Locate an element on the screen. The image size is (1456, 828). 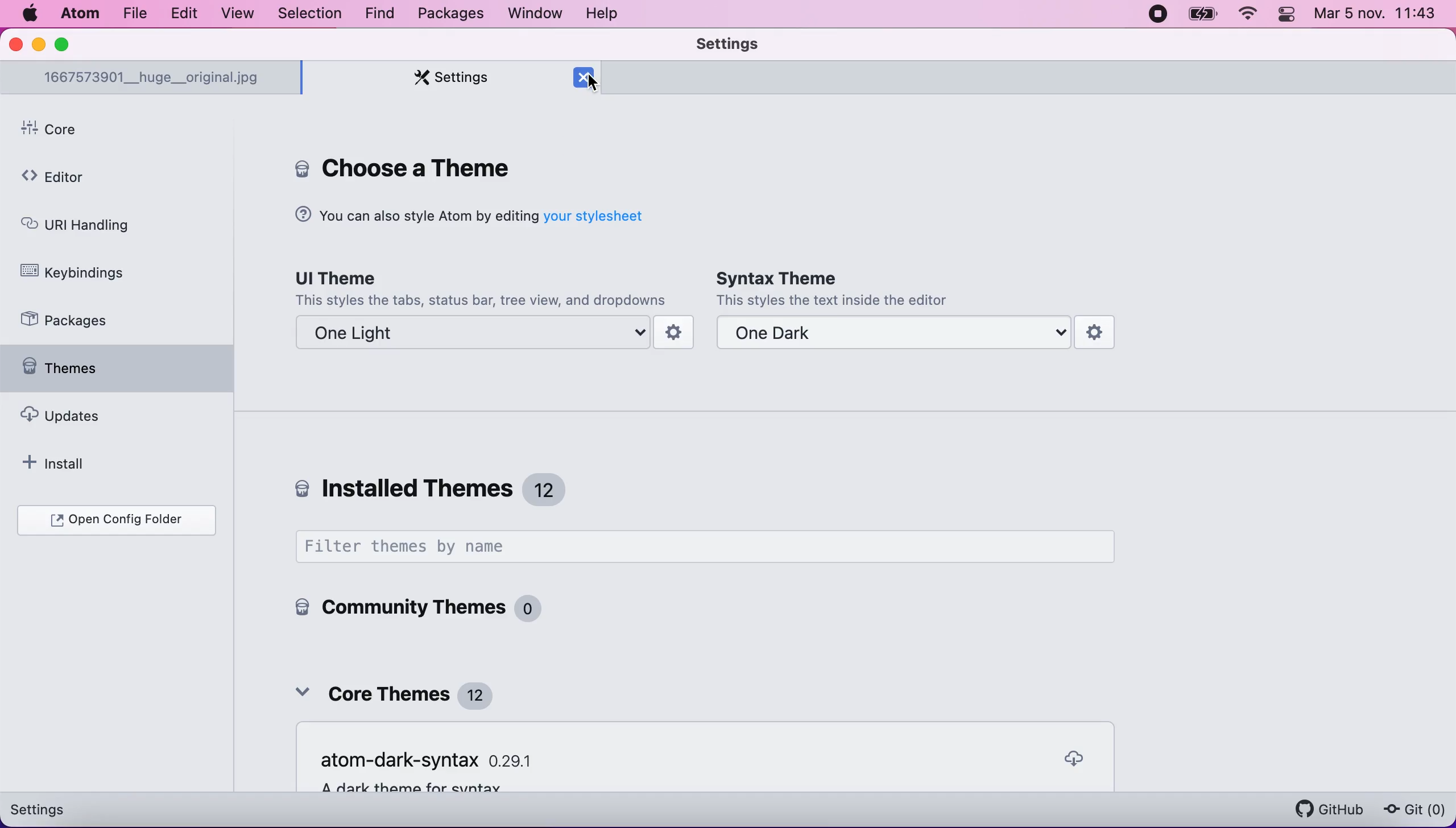
one light is located at coordinates (489, 332).